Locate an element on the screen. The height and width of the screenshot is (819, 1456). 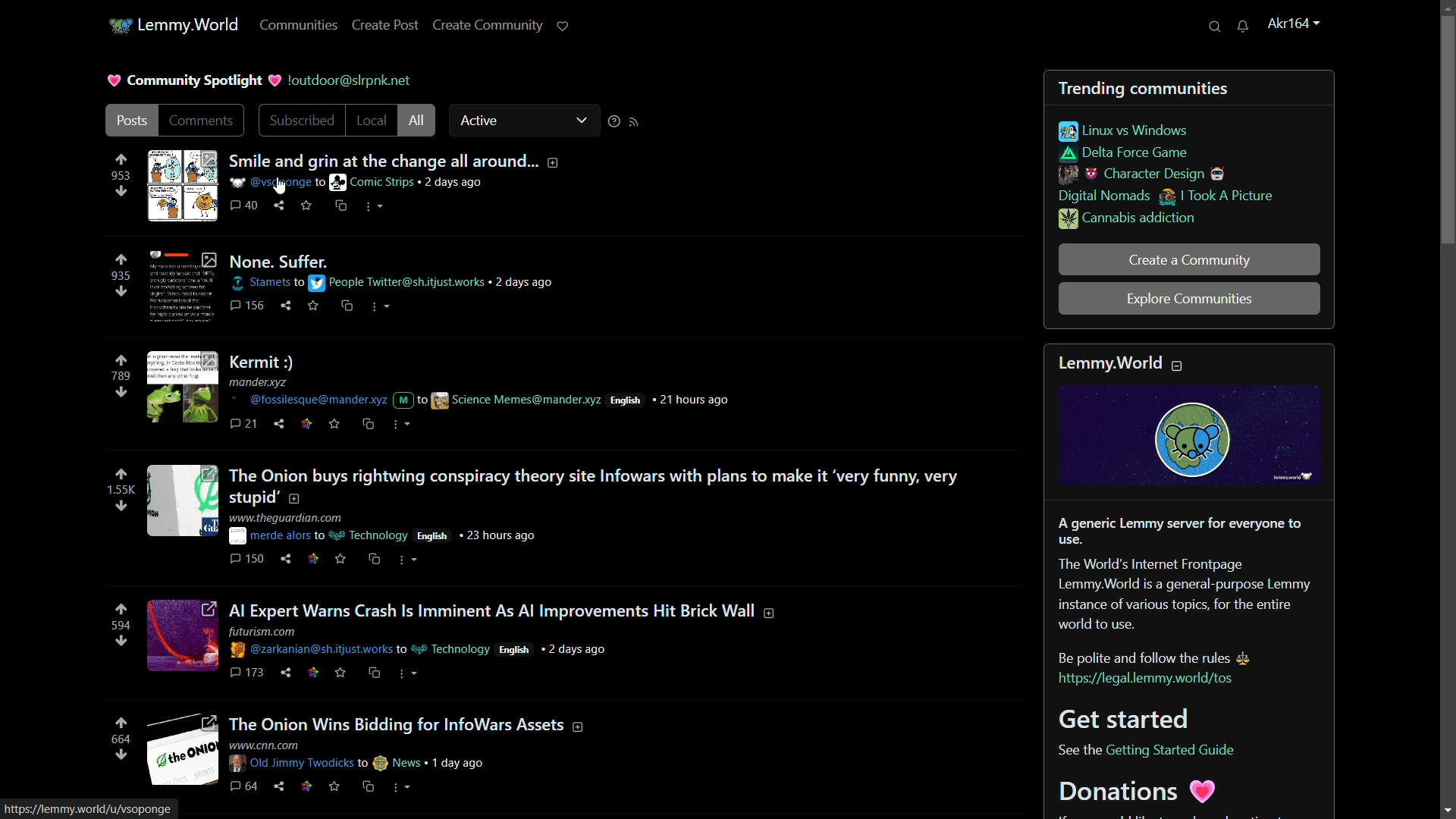
all is located at coordinates (416, 121).